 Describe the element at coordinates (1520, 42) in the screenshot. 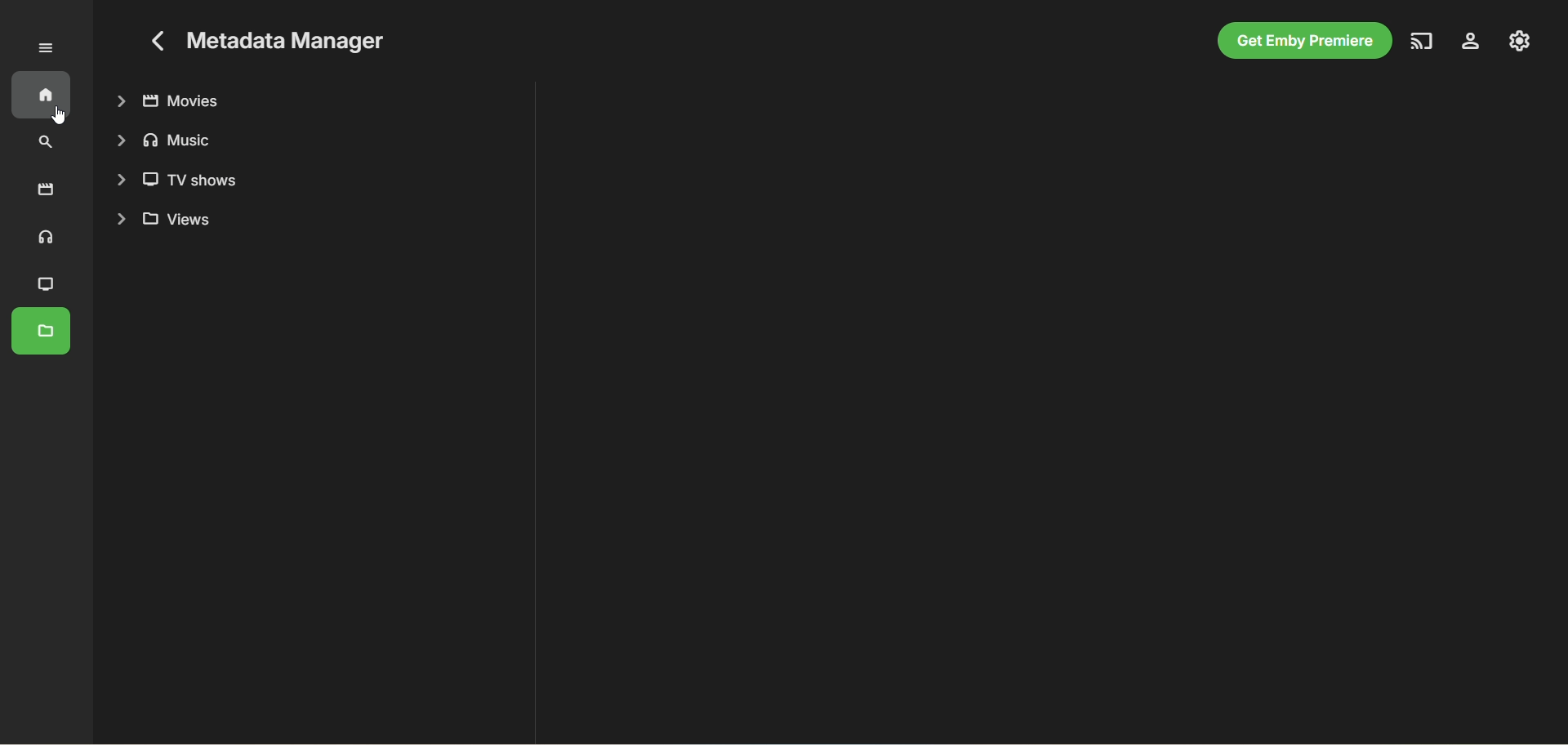

I see `manage emby server` at that location.